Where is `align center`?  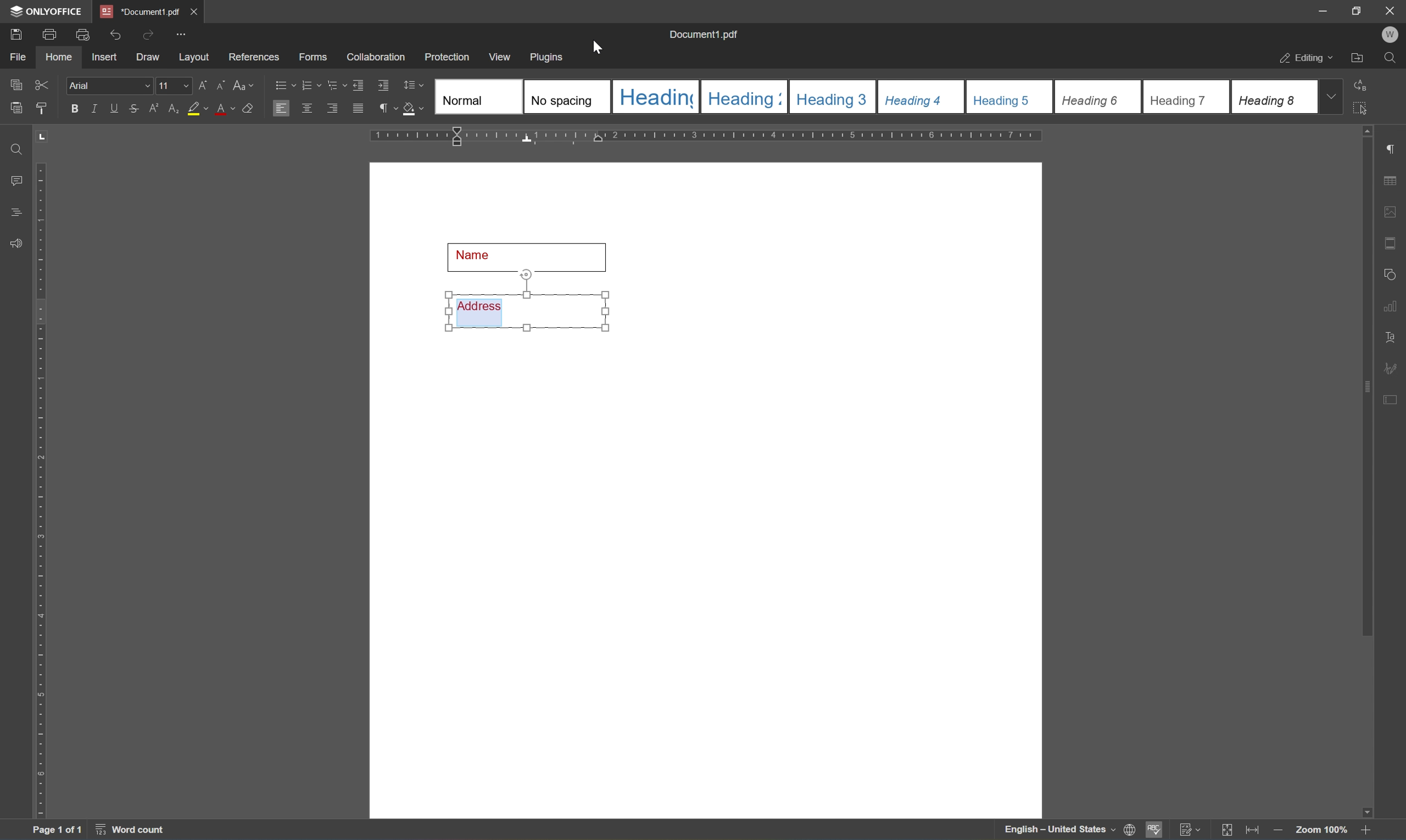
align center is located at coordinates (306, 108).